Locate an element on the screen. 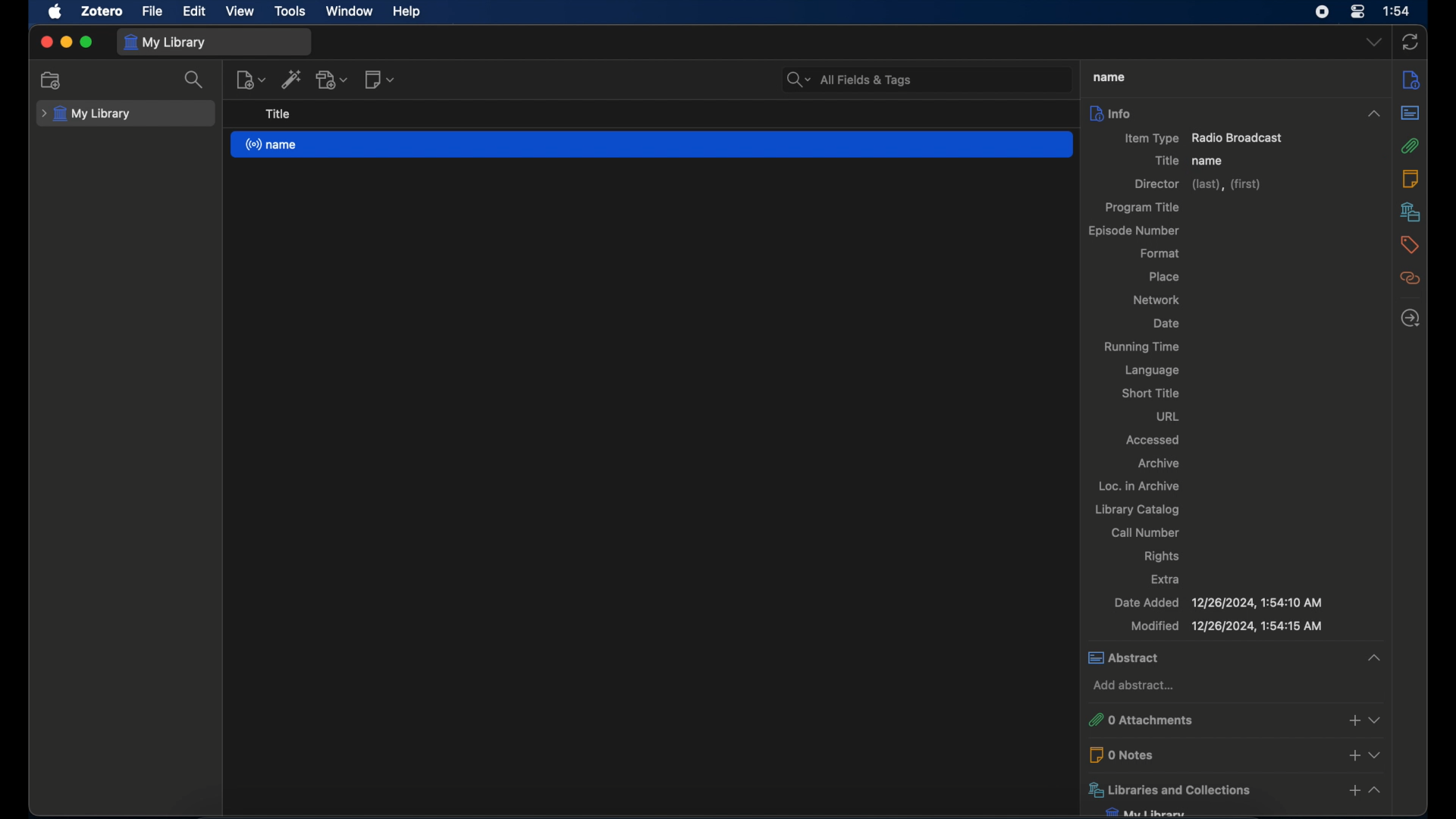  window is located at coordinates (350, 11).